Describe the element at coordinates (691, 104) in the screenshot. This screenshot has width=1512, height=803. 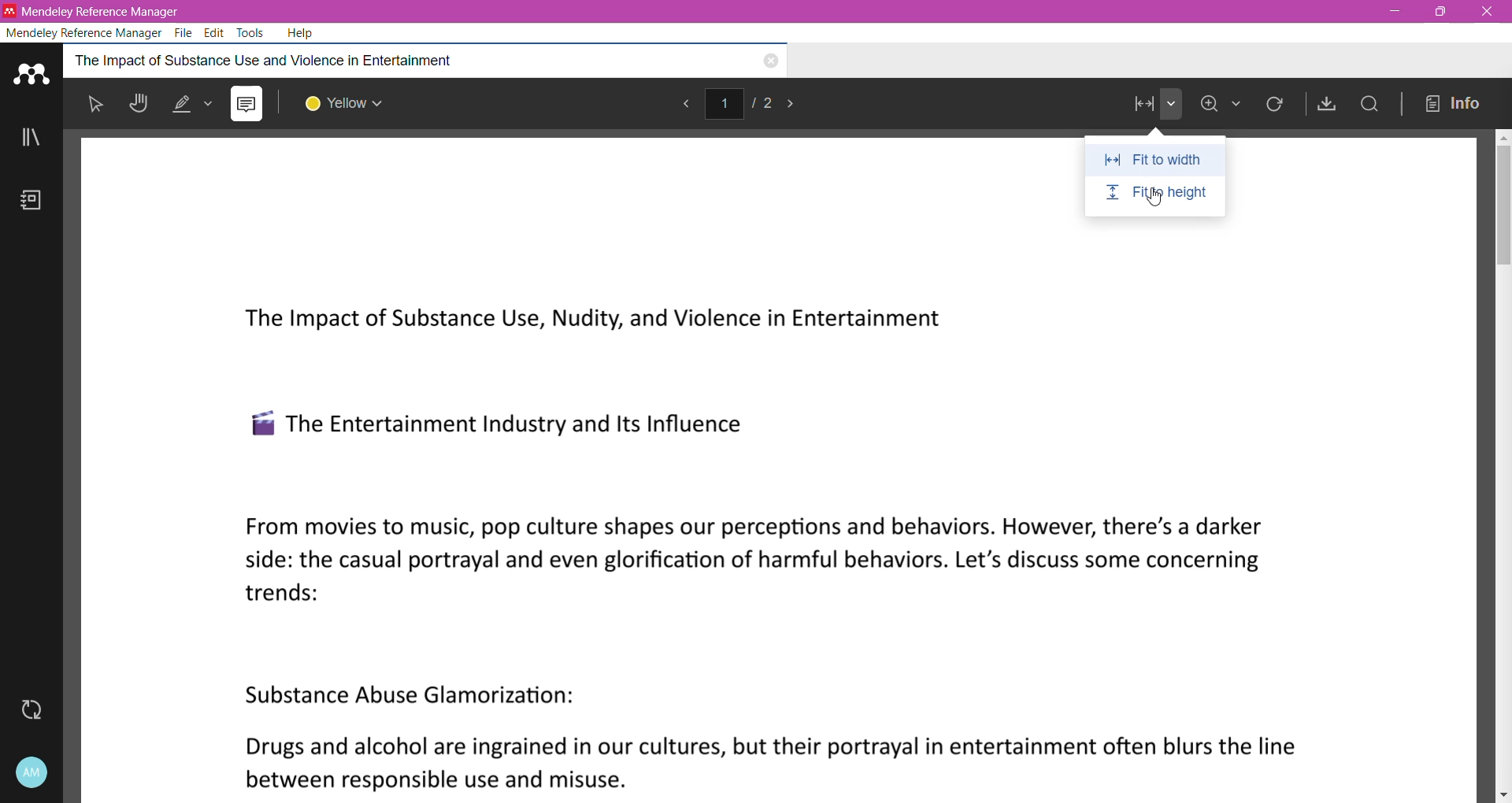
I see `Go to previous page` at that location.